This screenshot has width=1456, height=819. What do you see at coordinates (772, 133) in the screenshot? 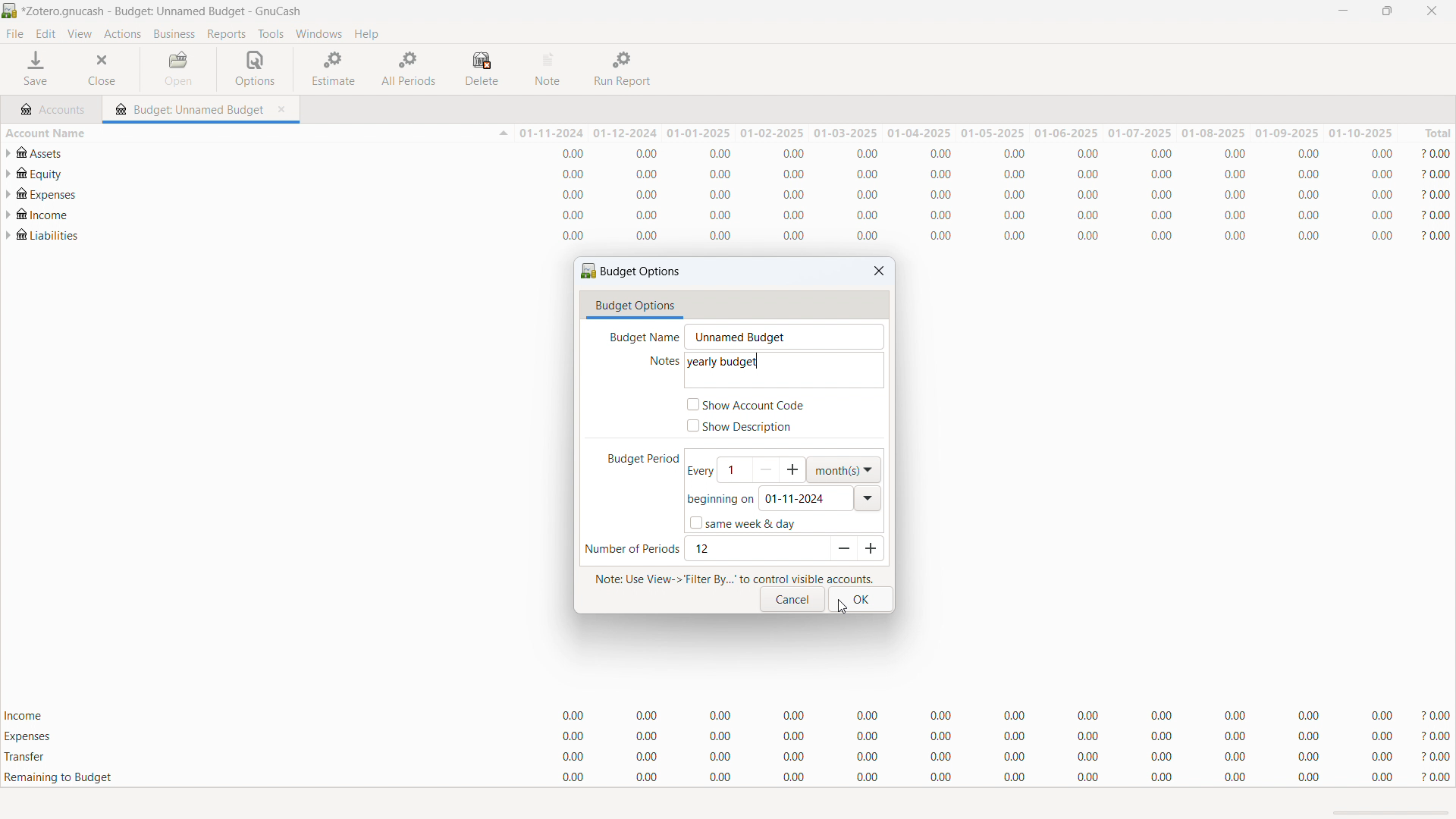
I see `01-02-2025` at bounding box center [772, 133].